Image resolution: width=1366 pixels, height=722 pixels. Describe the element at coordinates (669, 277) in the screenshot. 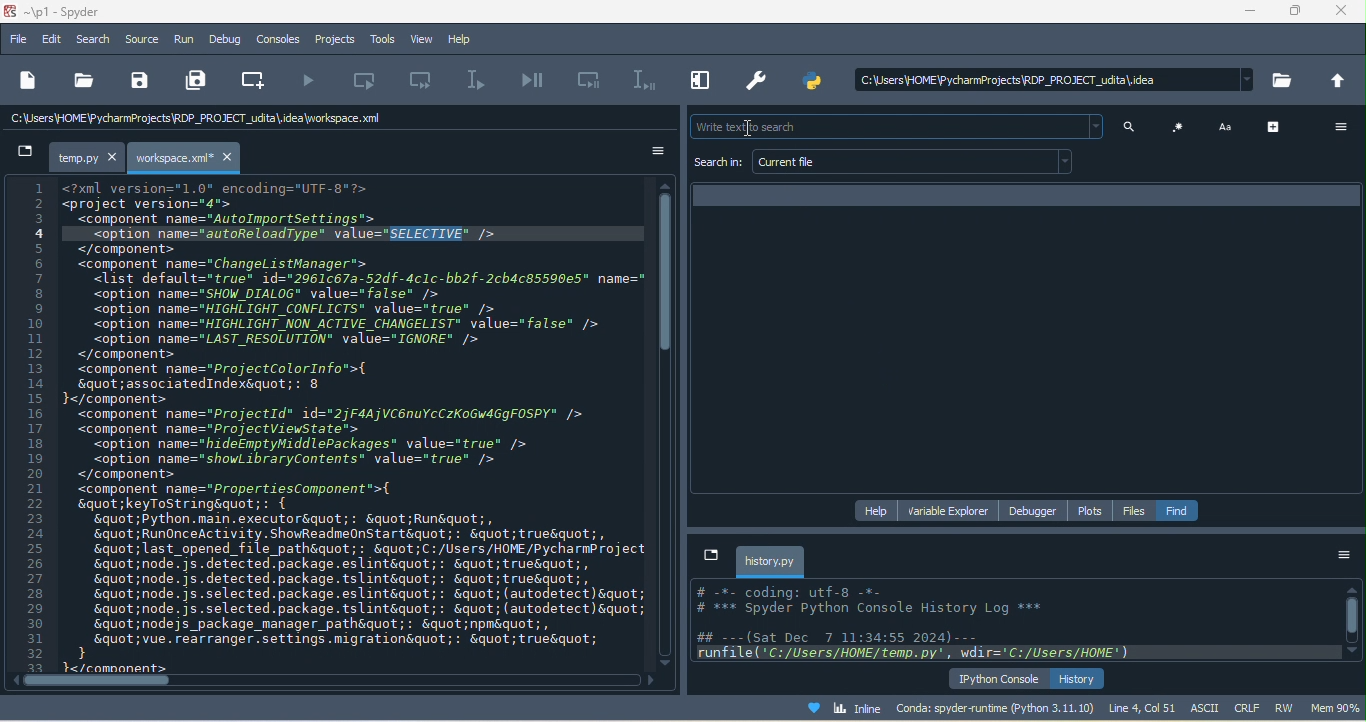

I see `vertical scroll bar` at that location.